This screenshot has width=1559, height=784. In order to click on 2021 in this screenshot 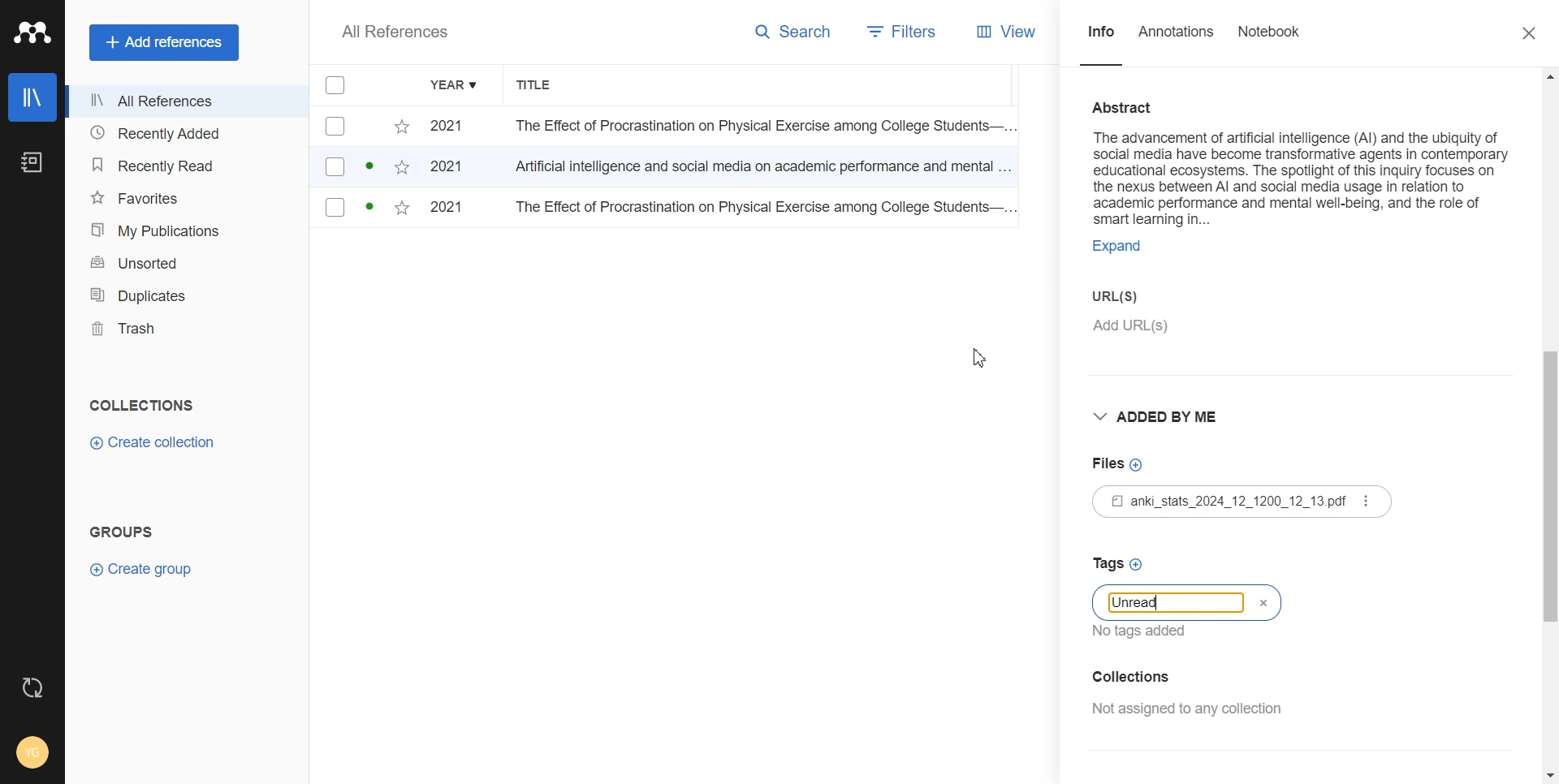, I will do `click(453, 170)`.